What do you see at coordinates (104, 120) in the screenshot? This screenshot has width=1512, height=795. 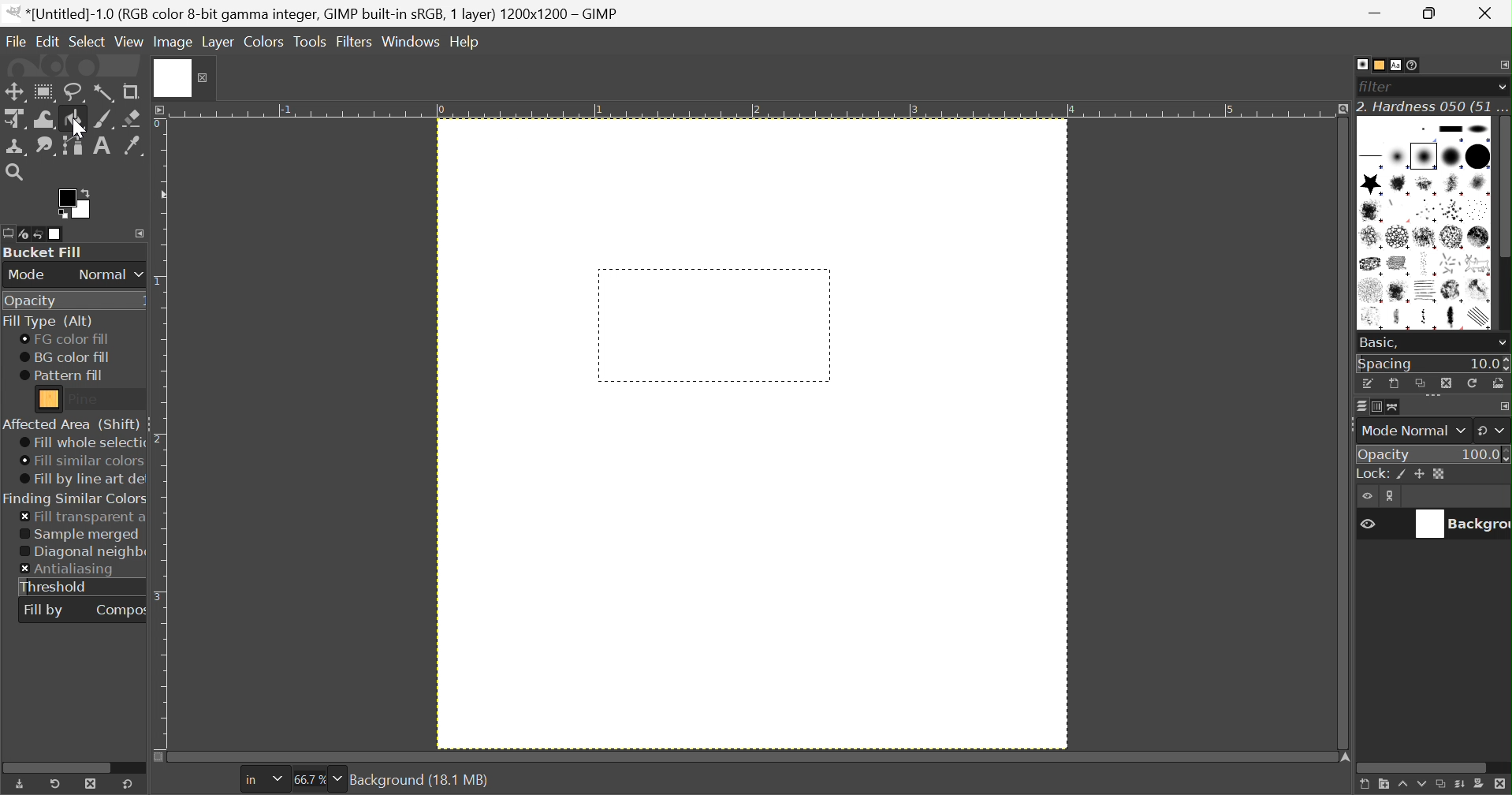 I see `Paintbrush Tool` at bounding box center [104, 120].